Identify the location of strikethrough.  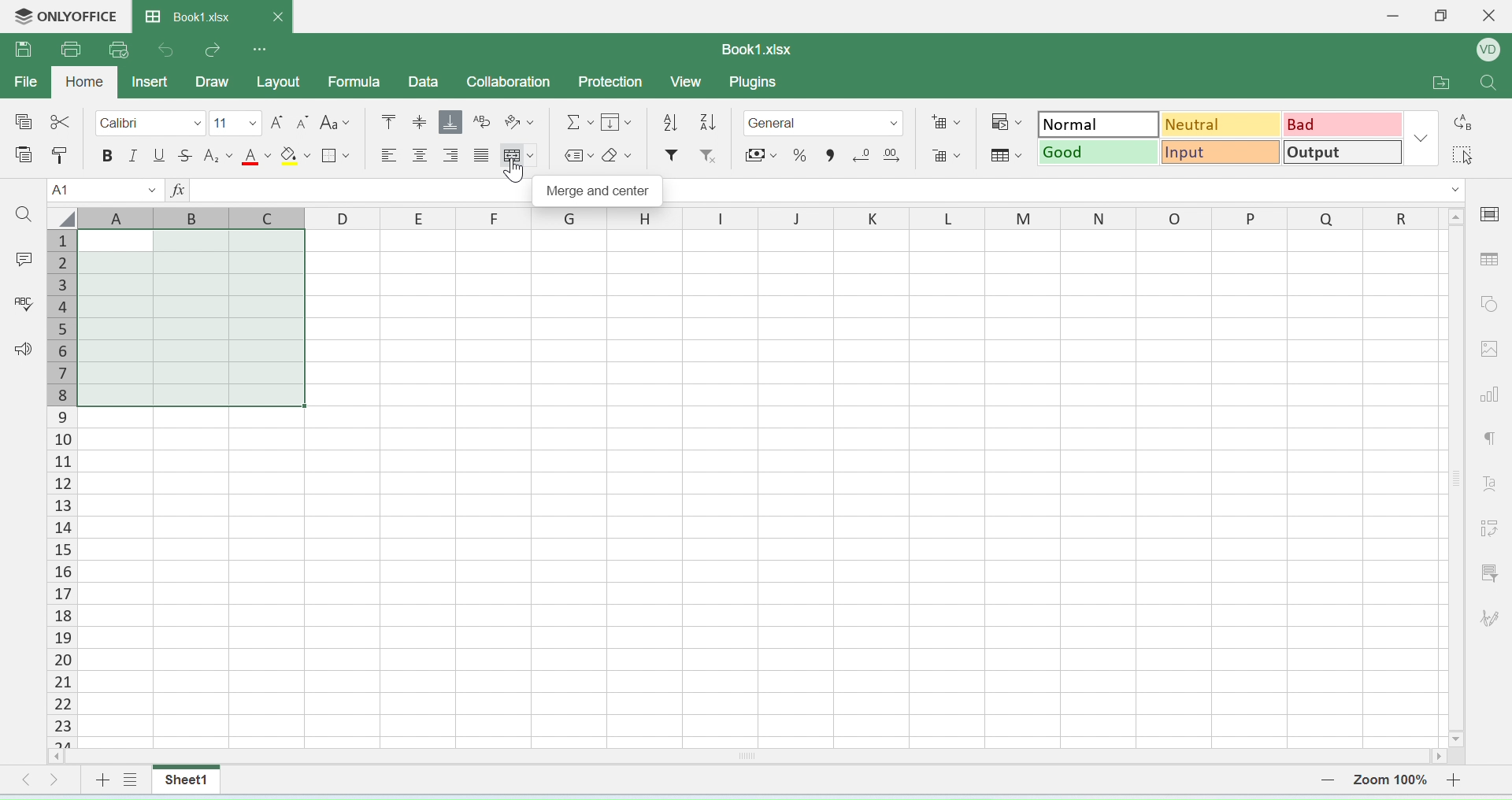
(185, 154).